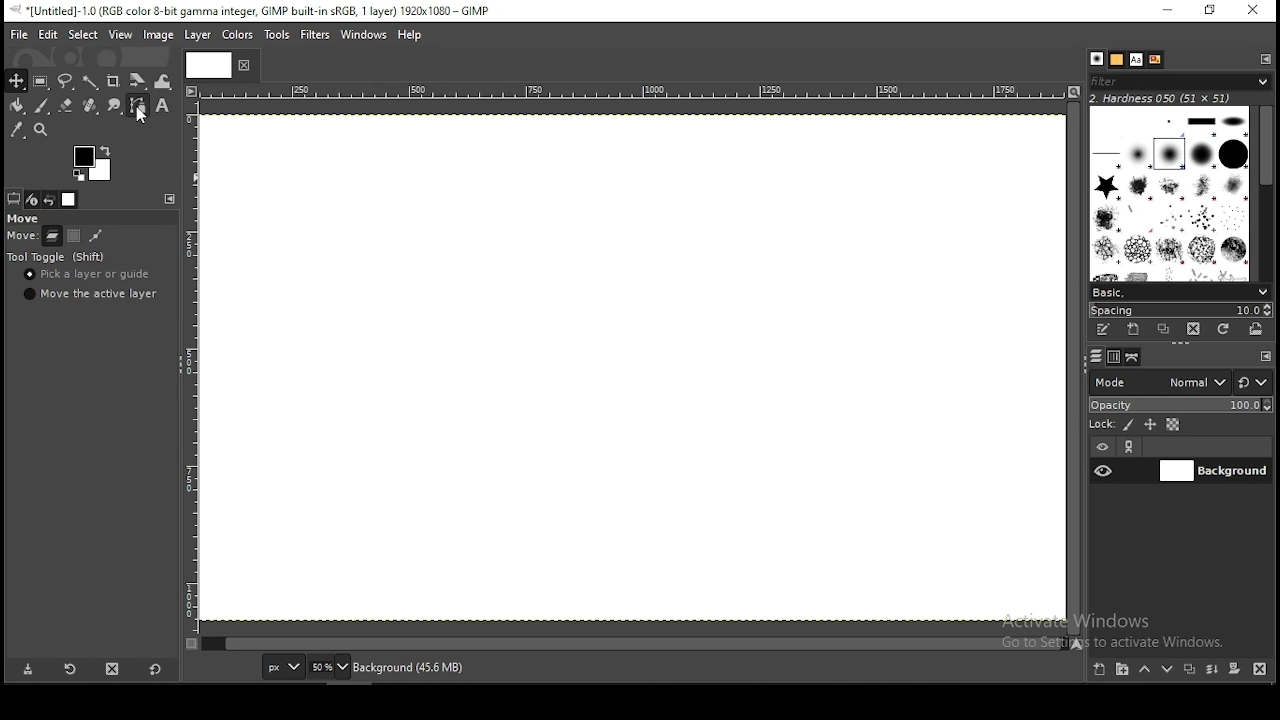 The image size is (1280, 720). Describe the element at coordinates (1254, 11) in the screenshot. I see `close window` at that location.